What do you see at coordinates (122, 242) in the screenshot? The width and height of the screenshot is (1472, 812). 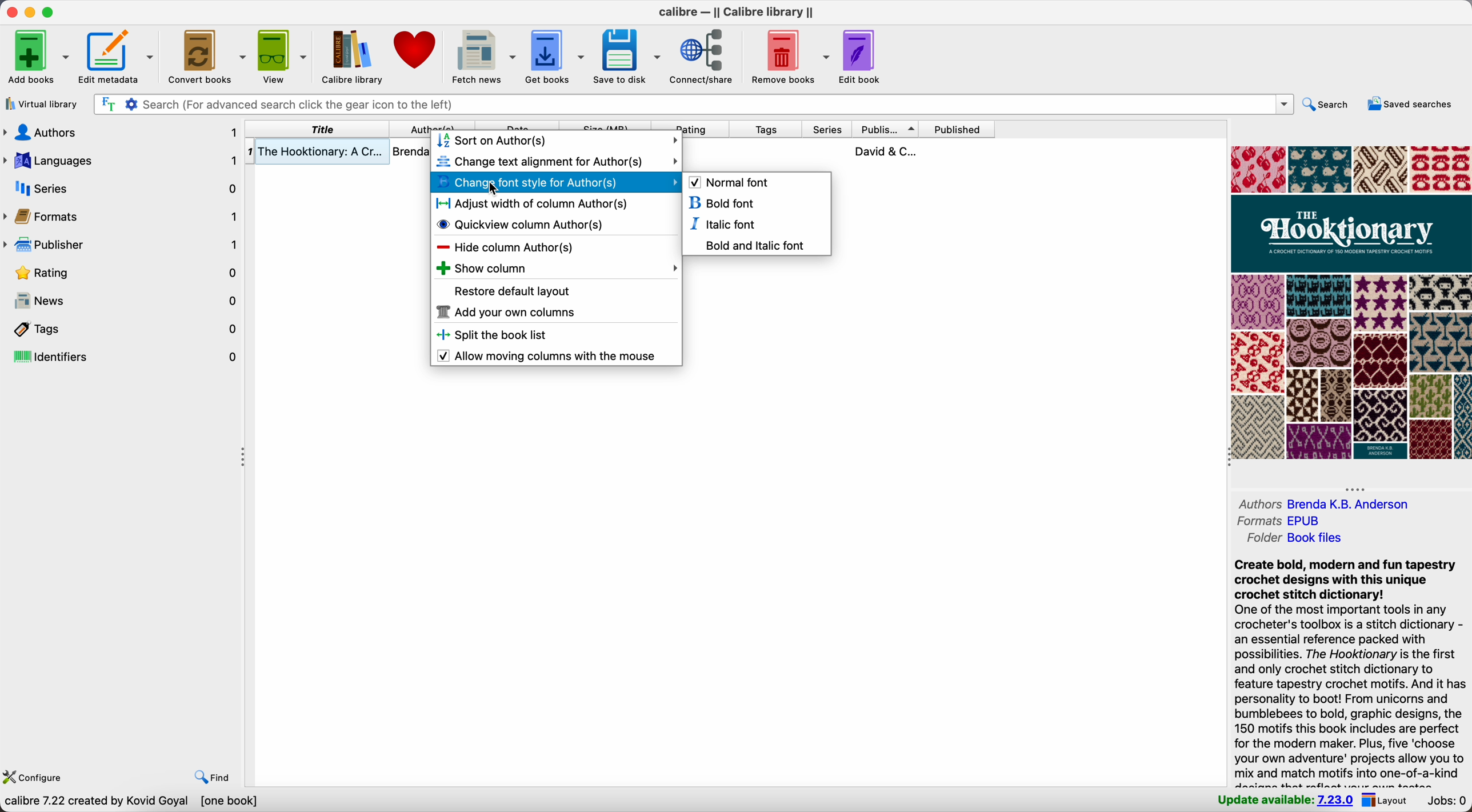 I see `publisher` at bounding box center [122, 242].